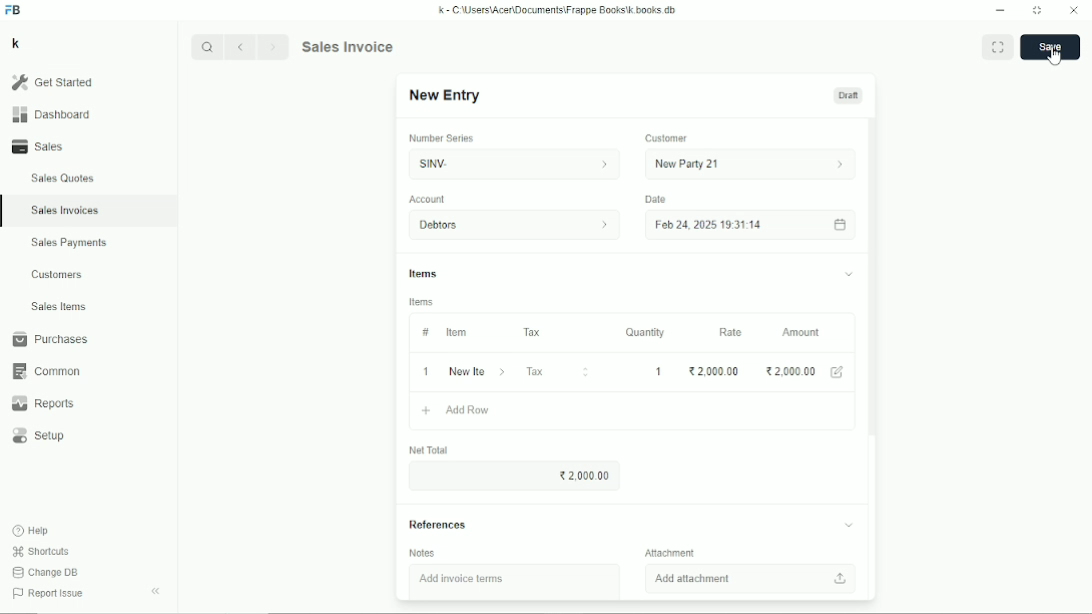 The image size is (1092, 614). Describe the element at coordinates (46, 595) in the screenshot. I see `Report issue` at that location.